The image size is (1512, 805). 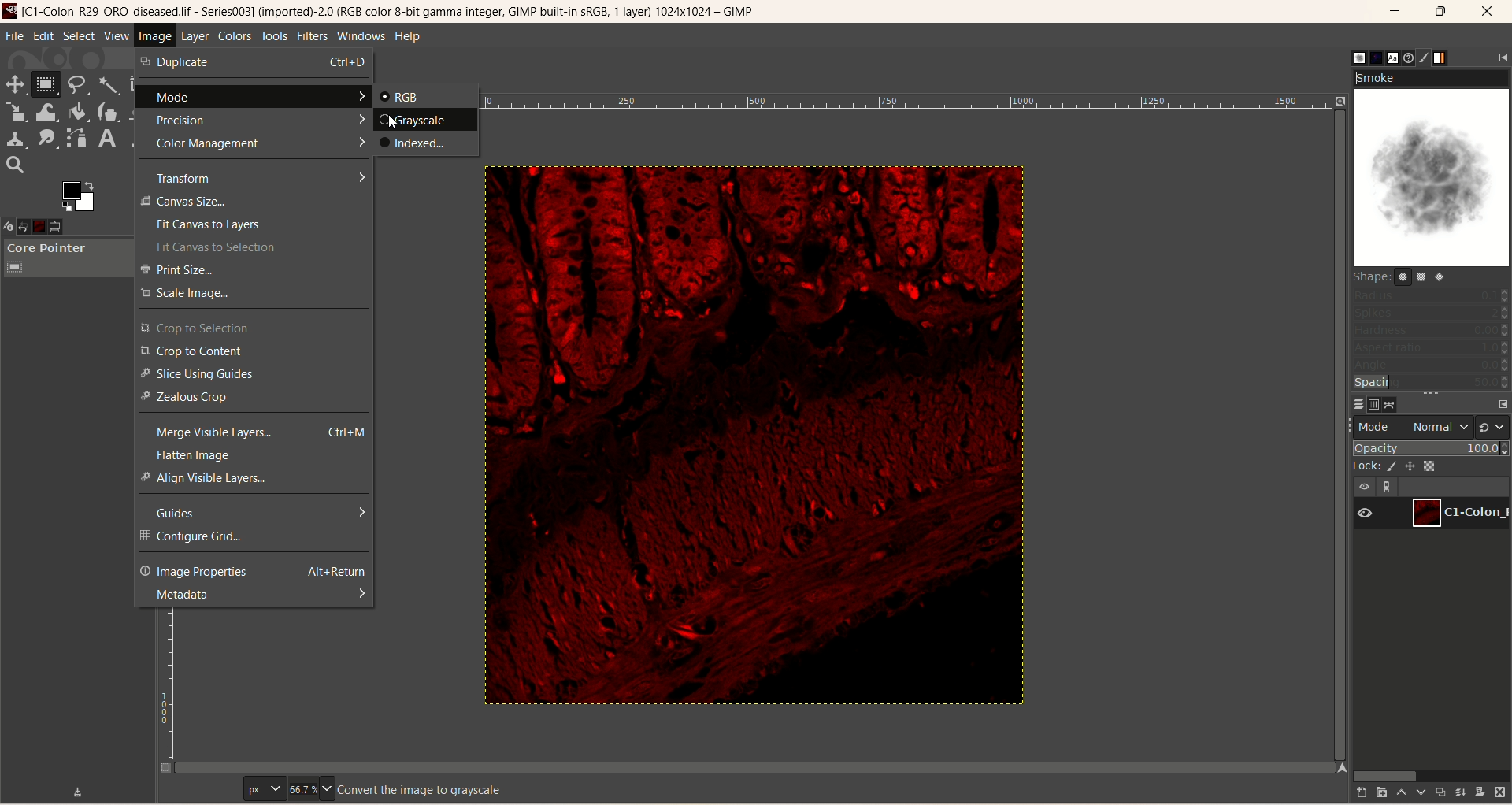 What do you see at coordinates (1392, 467) in the screenshot?
I see `lock pixel` at bounding box center [1392, 467].